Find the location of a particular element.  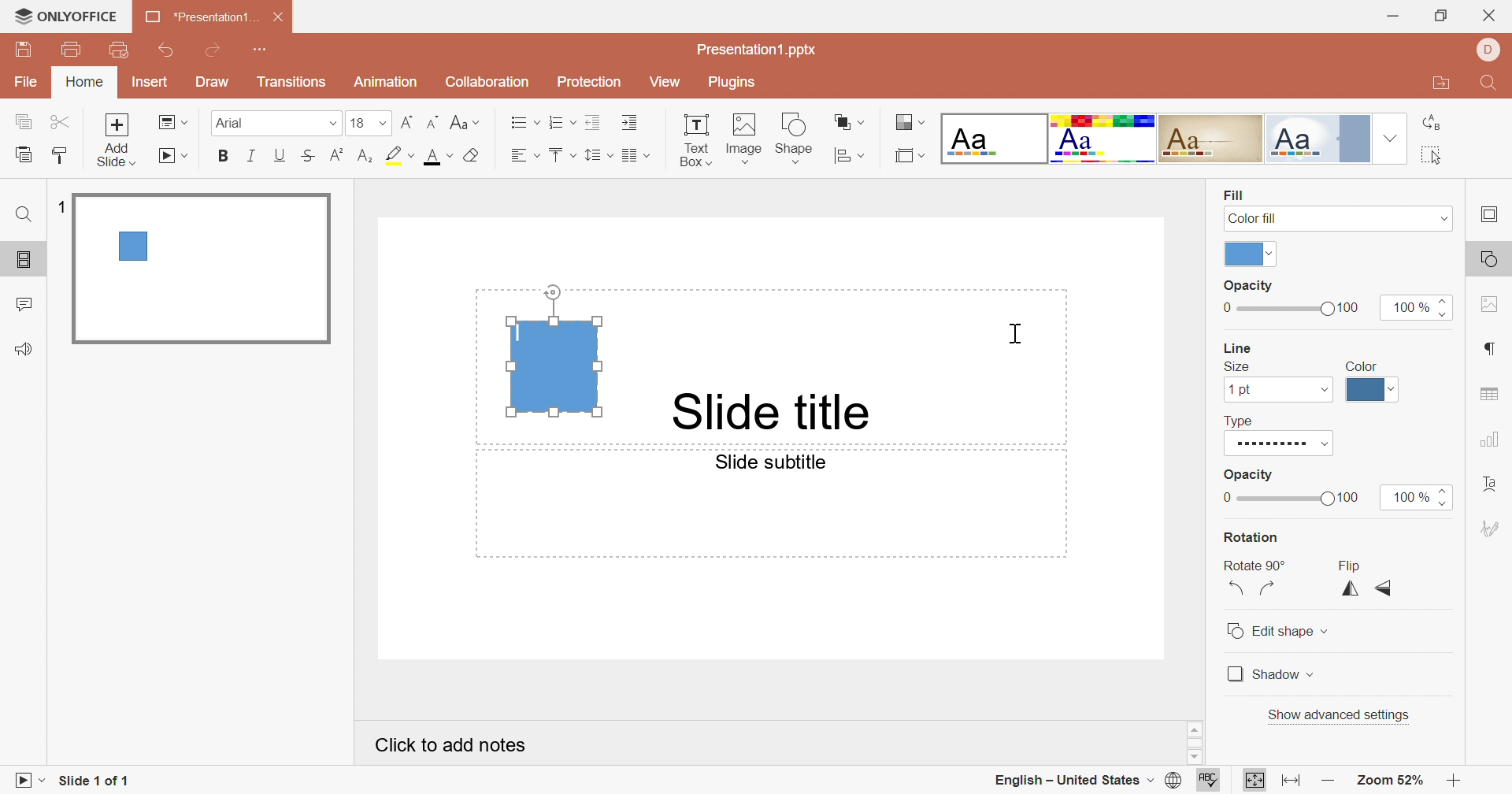

Flip Horizontally is located at coordinates (1346, 591).